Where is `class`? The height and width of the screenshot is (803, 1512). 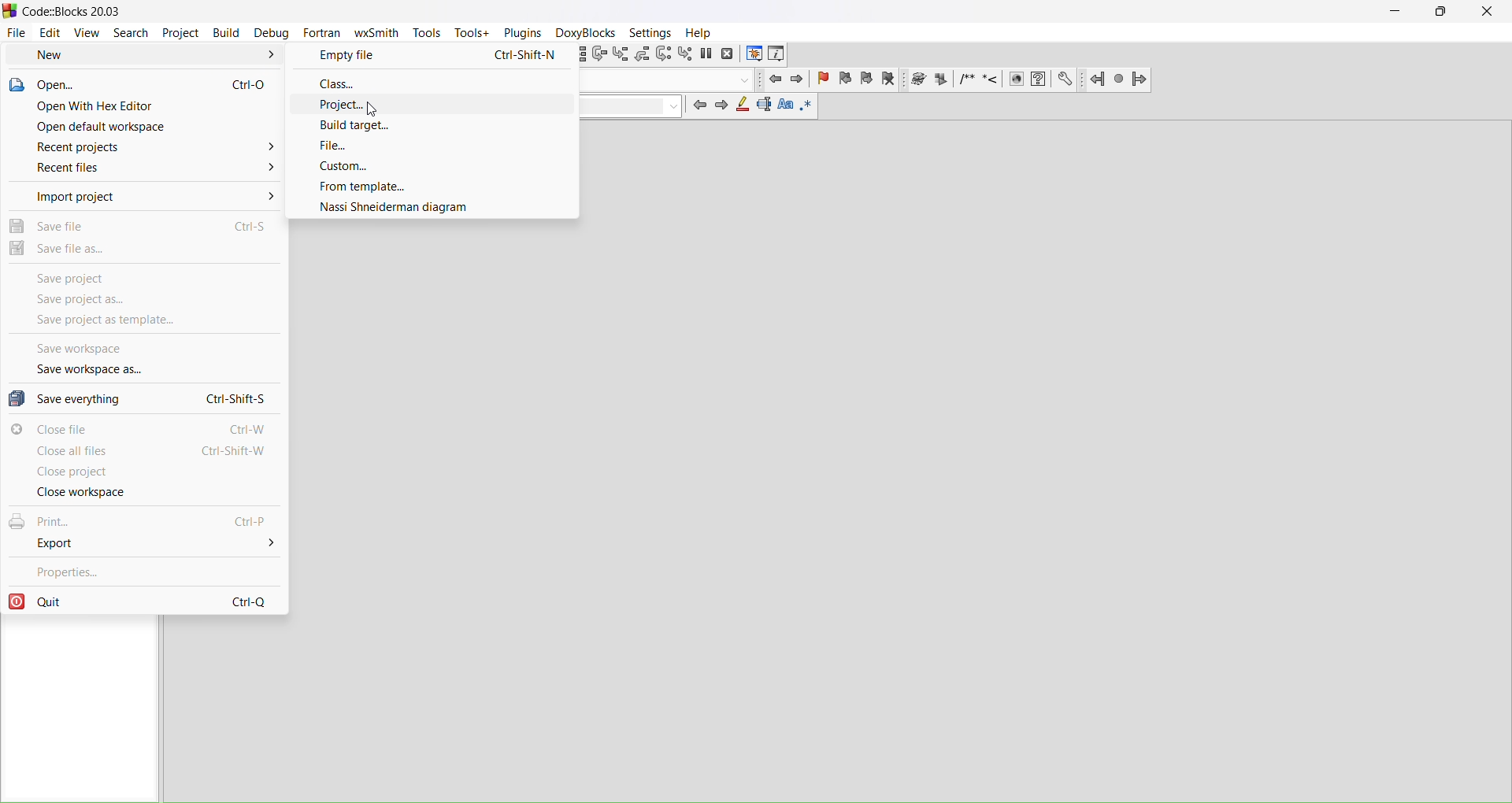
class is located at coordinates (432, 80).